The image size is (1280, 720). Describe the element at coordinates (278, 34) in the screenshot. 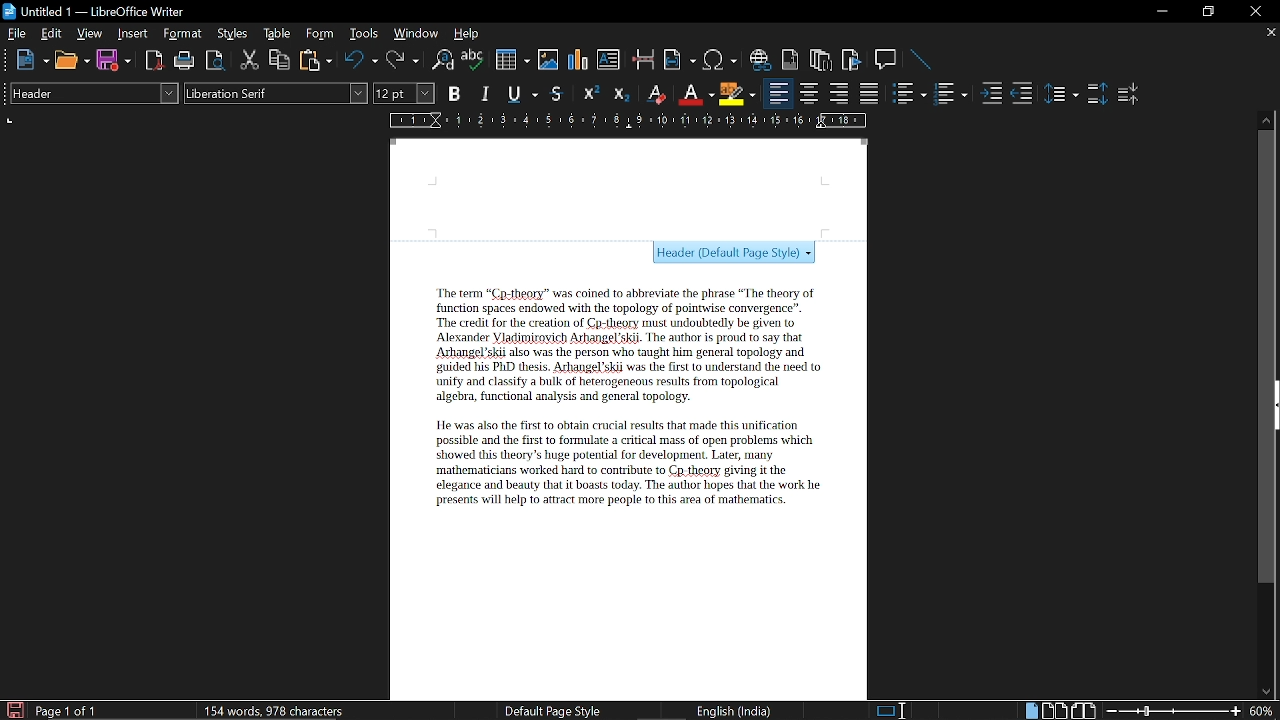

I see `table` at that location.